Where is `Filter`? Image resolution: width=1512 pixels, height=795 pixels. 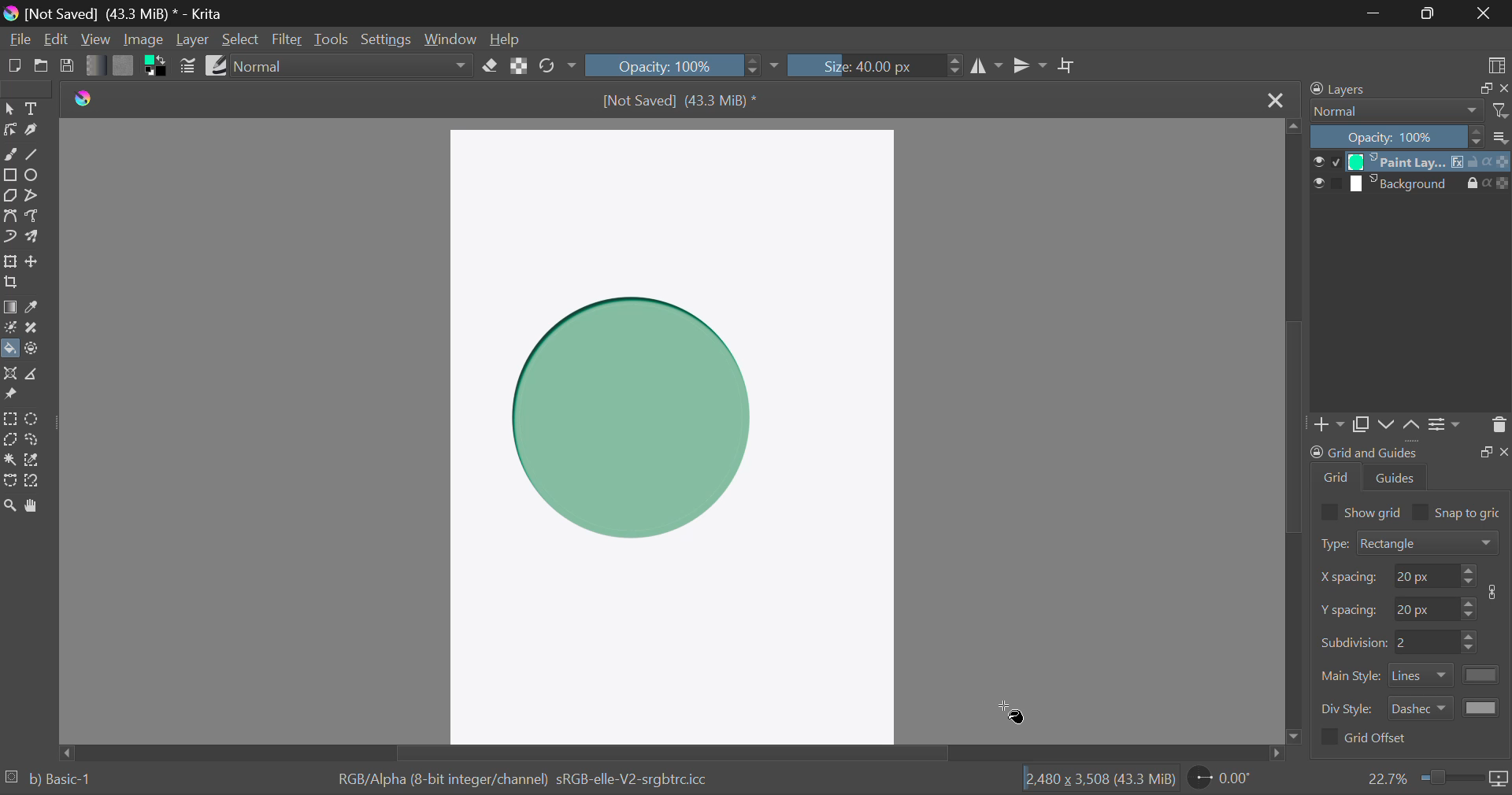
Filter is located at coordinates (288, 39).